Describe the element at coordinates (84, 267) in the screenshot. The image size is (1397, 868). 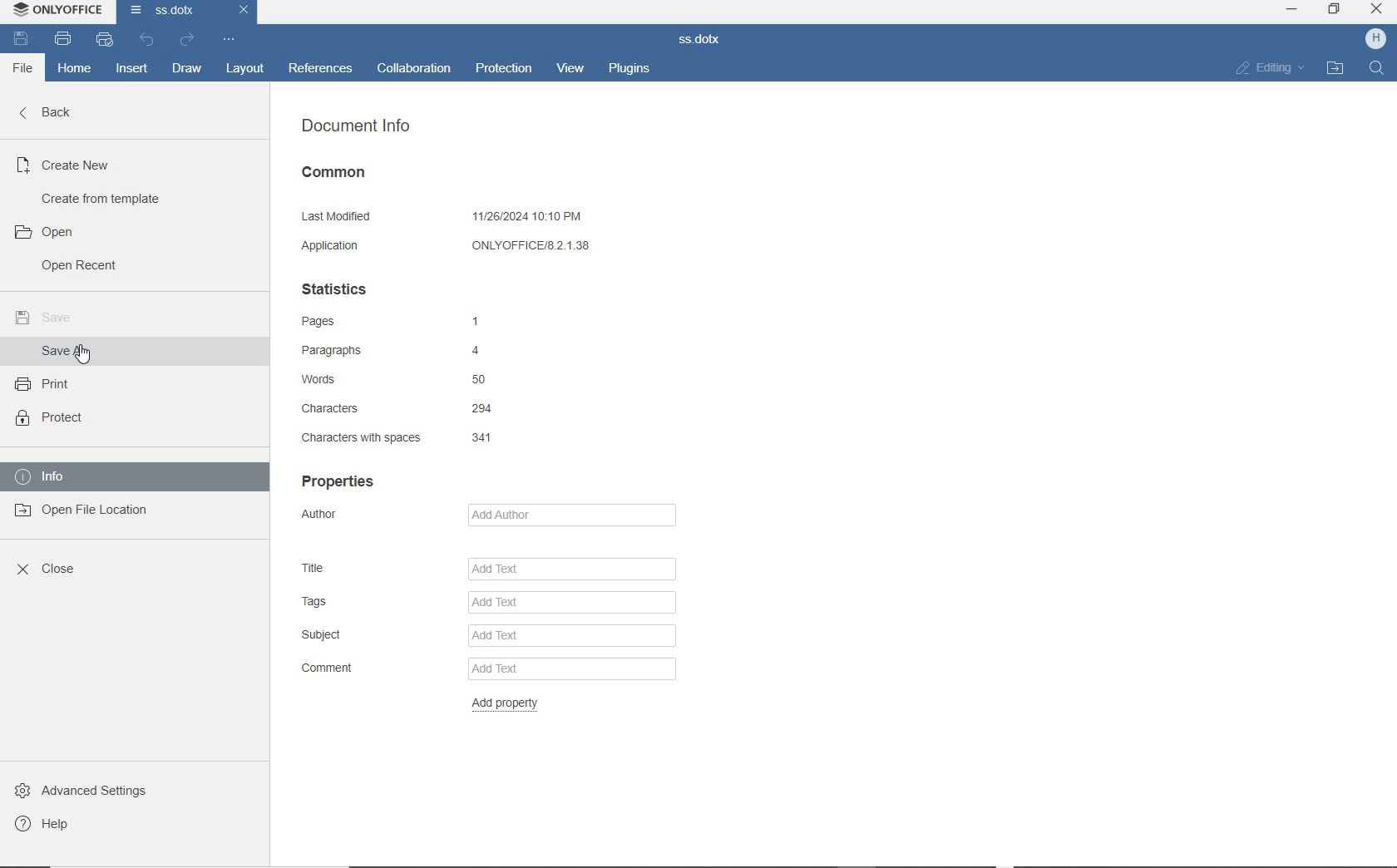
I see `OPEN RECENT` at that location.